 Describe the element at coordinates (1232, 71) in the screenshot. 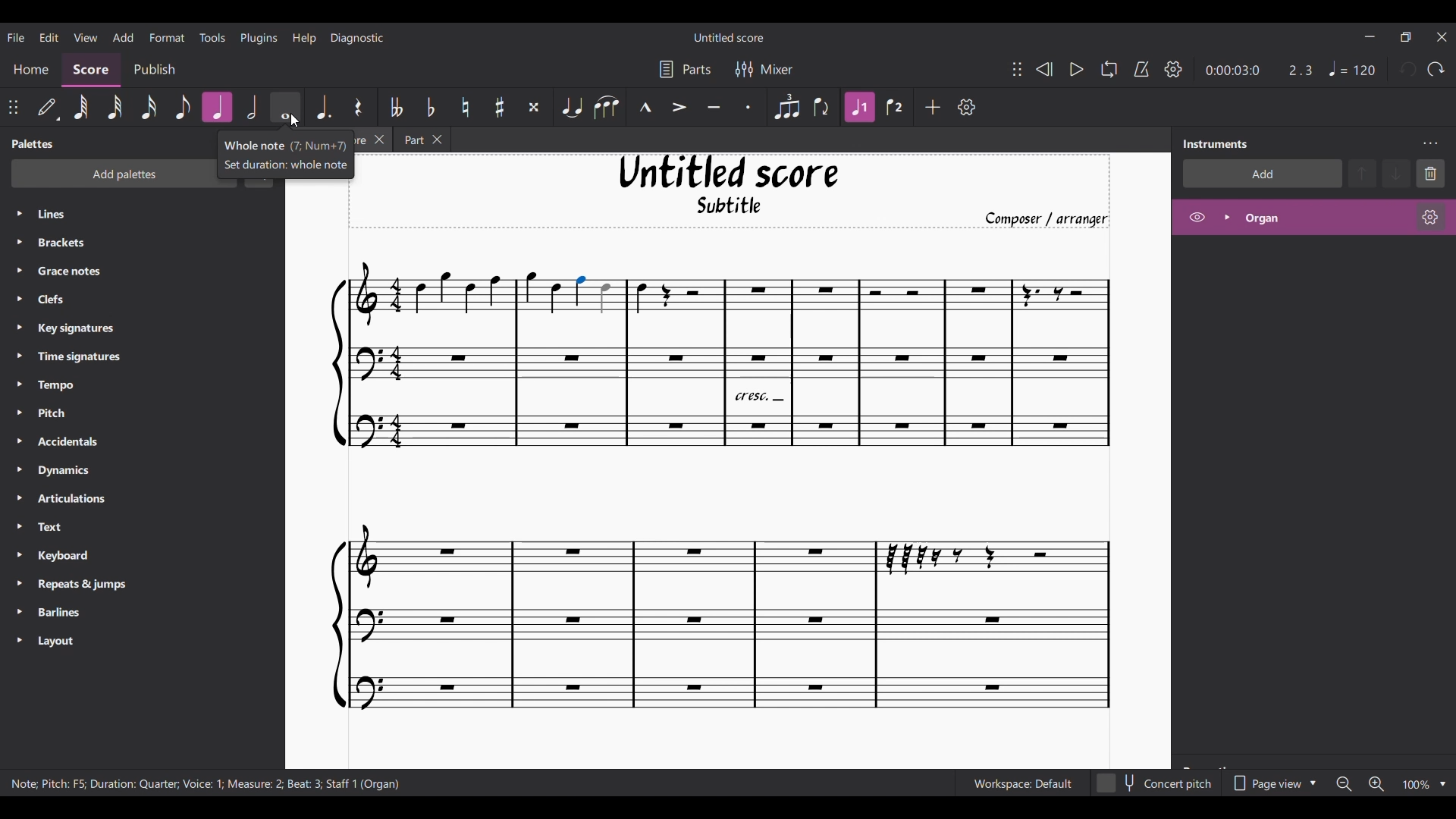

I see `Current duration changed` at that location.